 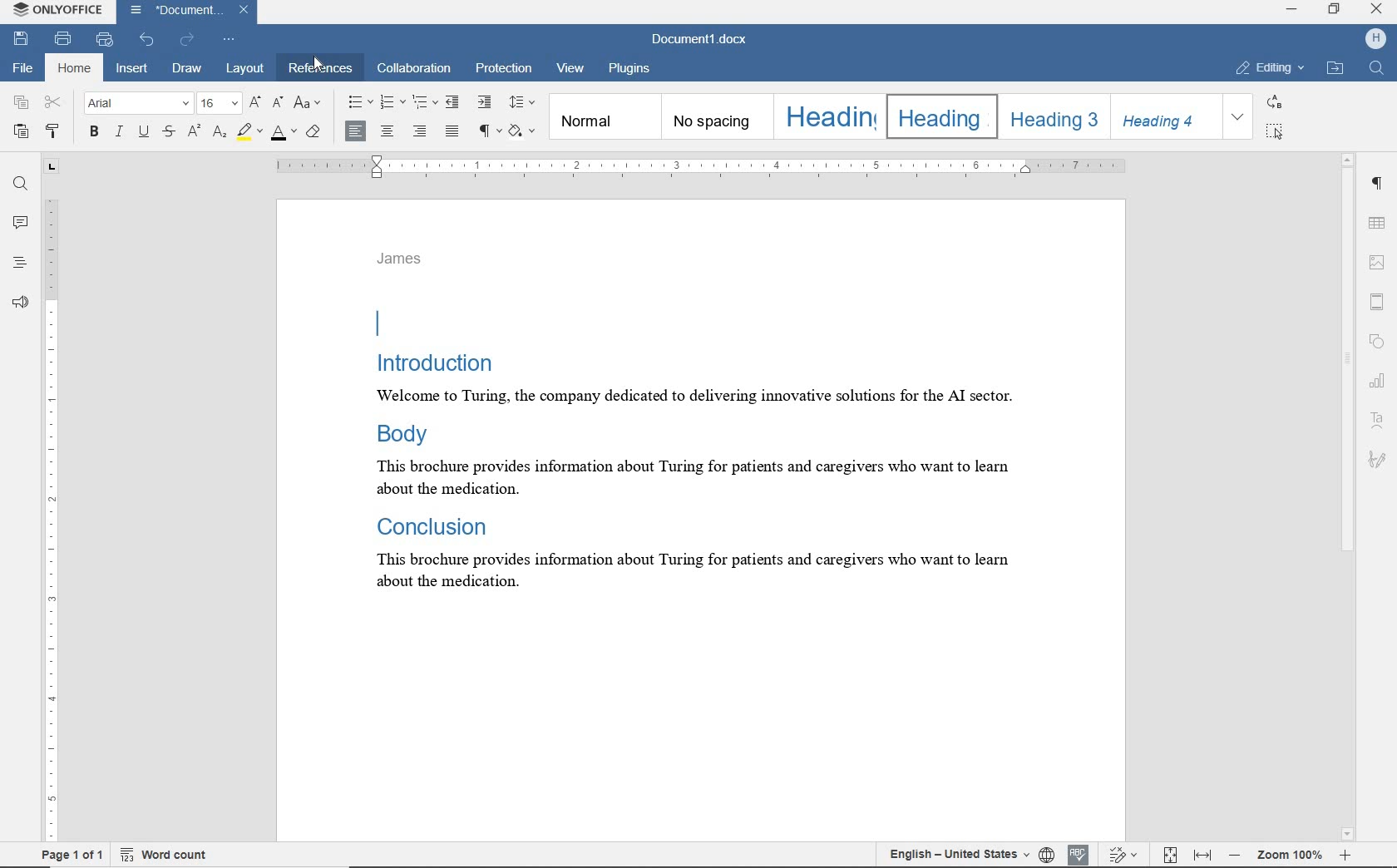 What do you see at coordinates (453, 132) in the screenshot?
I see `justified` at bounding box center [453, 132].